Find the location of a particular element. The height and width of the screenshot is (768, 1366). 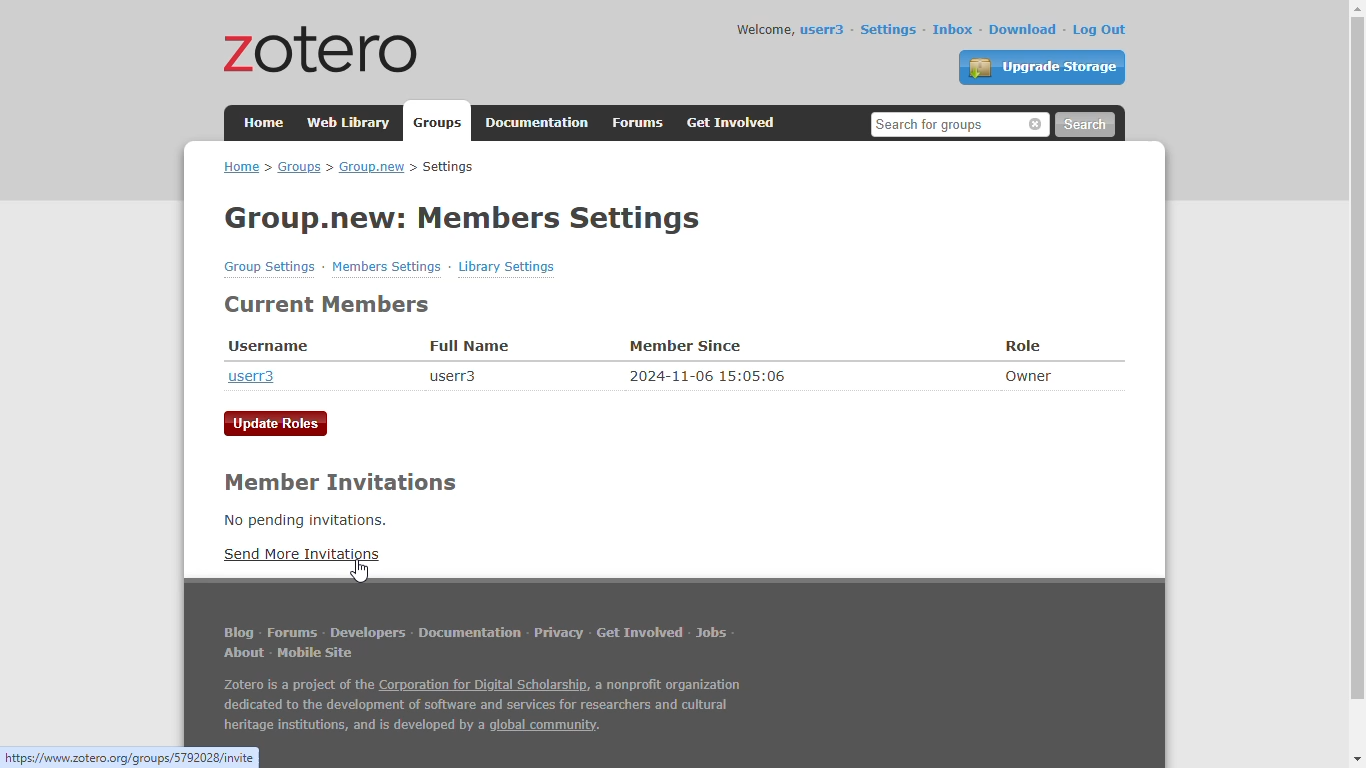

upgrade storage is located at coordinates (1043, 67).